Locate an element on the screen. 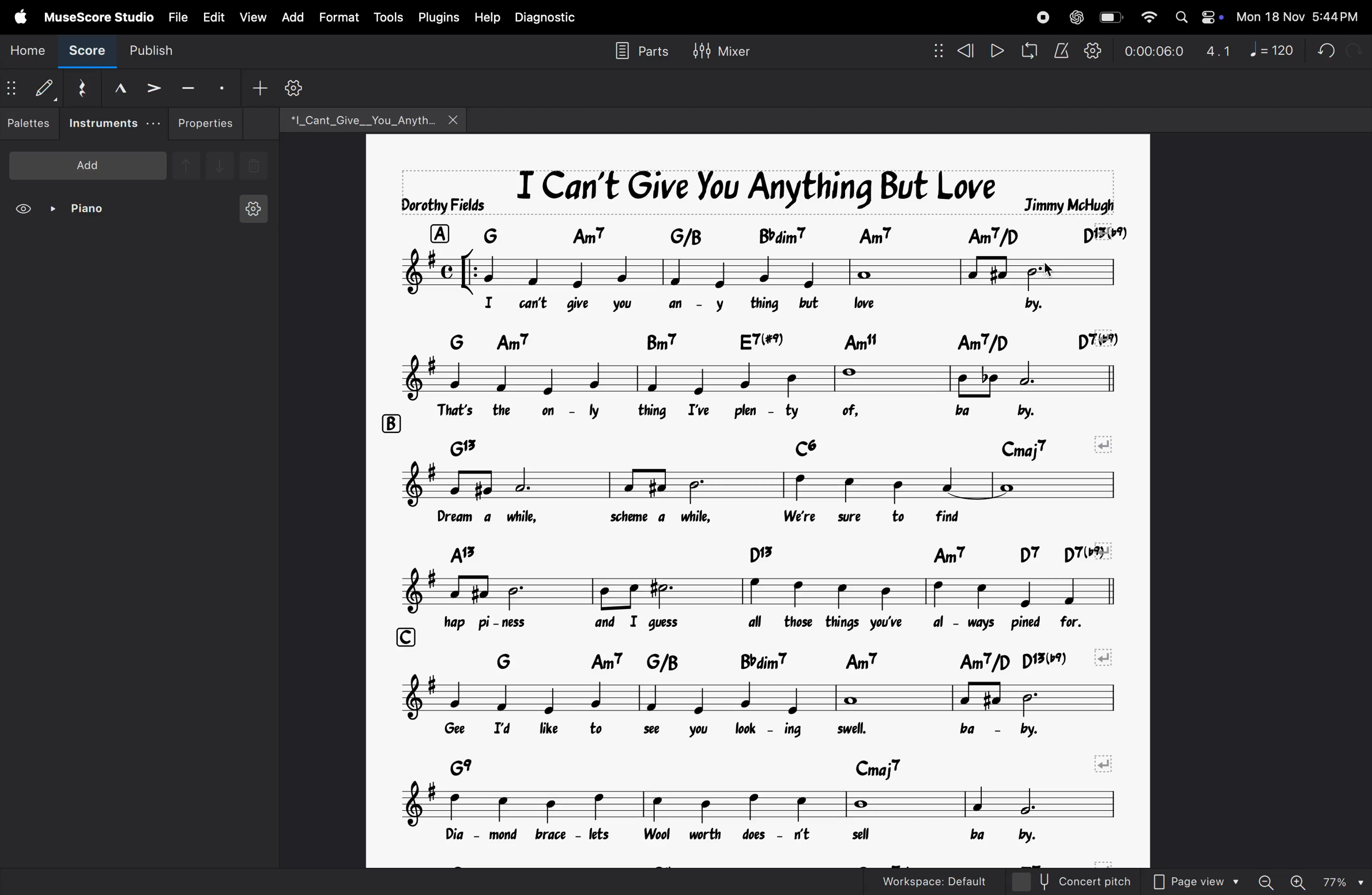 This screenshot has width=1372, height=895. row is located at coordinates (446, 233).